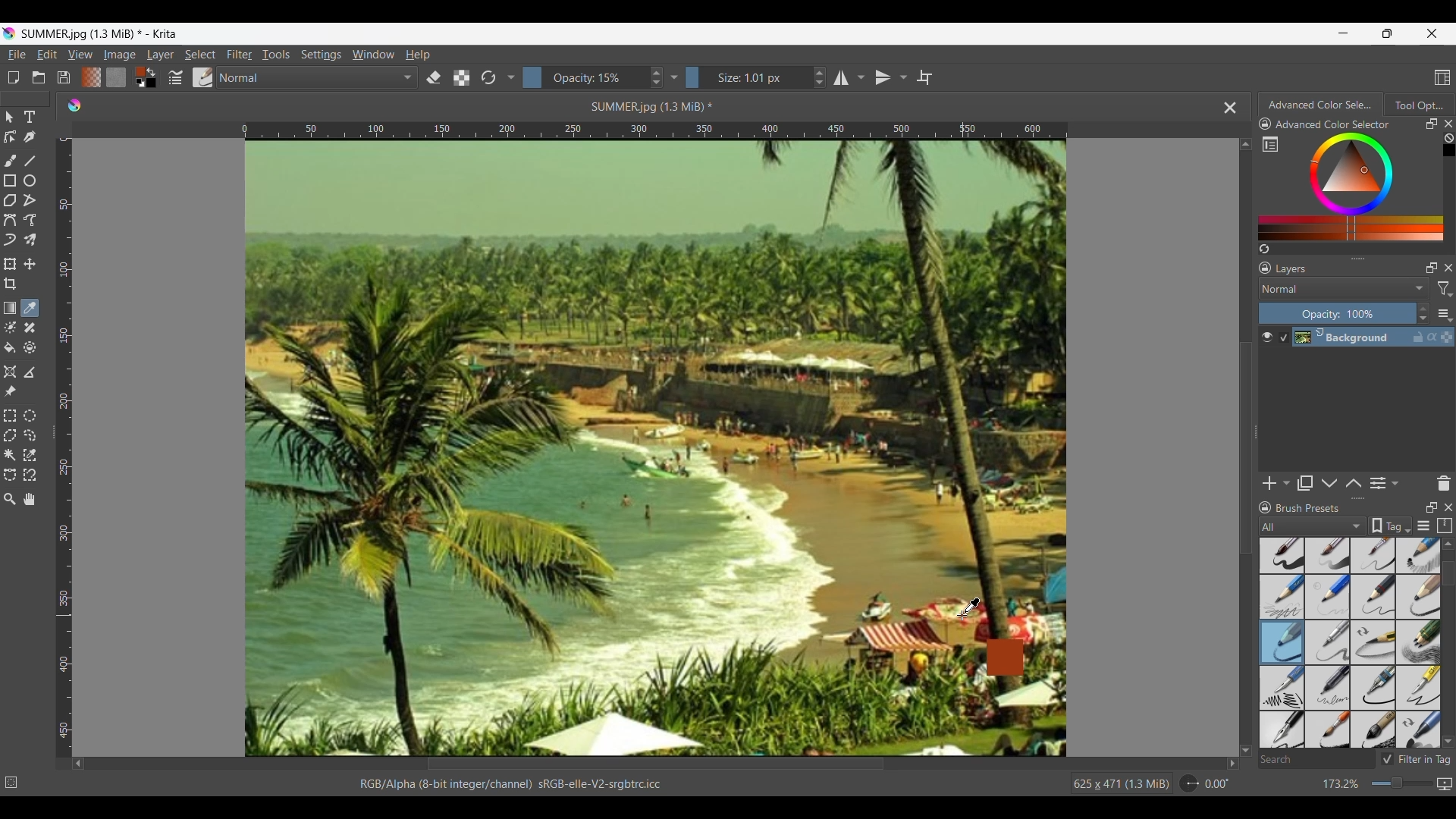  What do you see at coordinates (1424, 526) in the screenshot?
I see `Display settings` at bounding box center [1424, 526].